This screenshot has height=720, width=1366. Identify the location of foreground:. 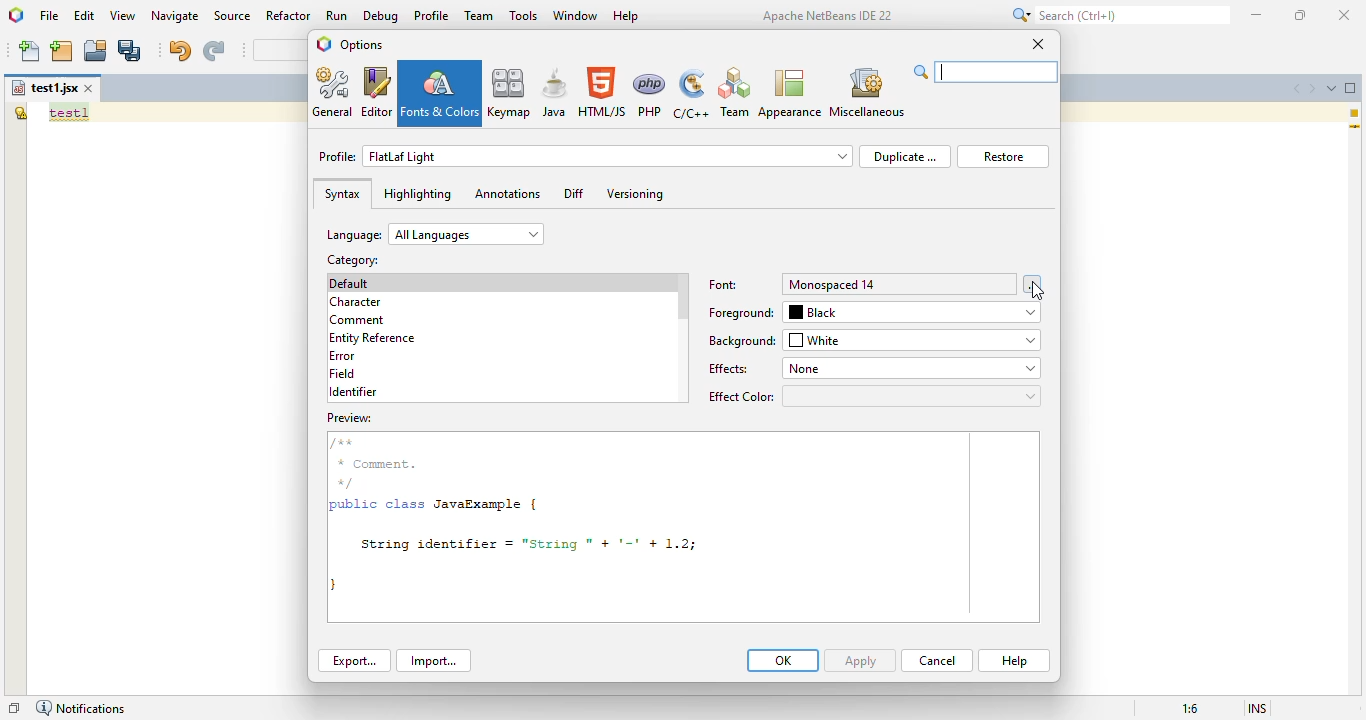
(743, 311).